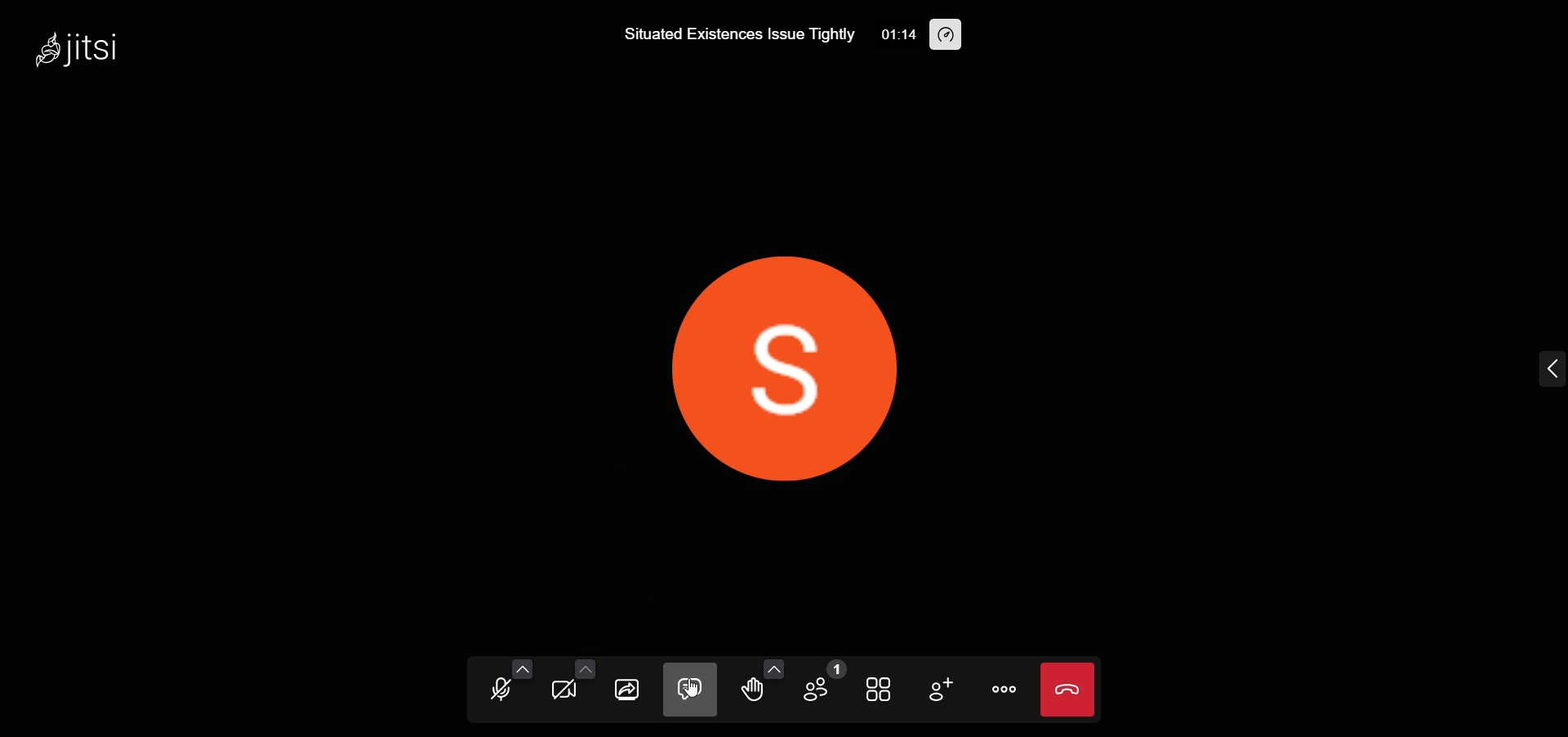 The width and height of the screenshot is (1568, 737). I want to click on camera, so click(565, 694).